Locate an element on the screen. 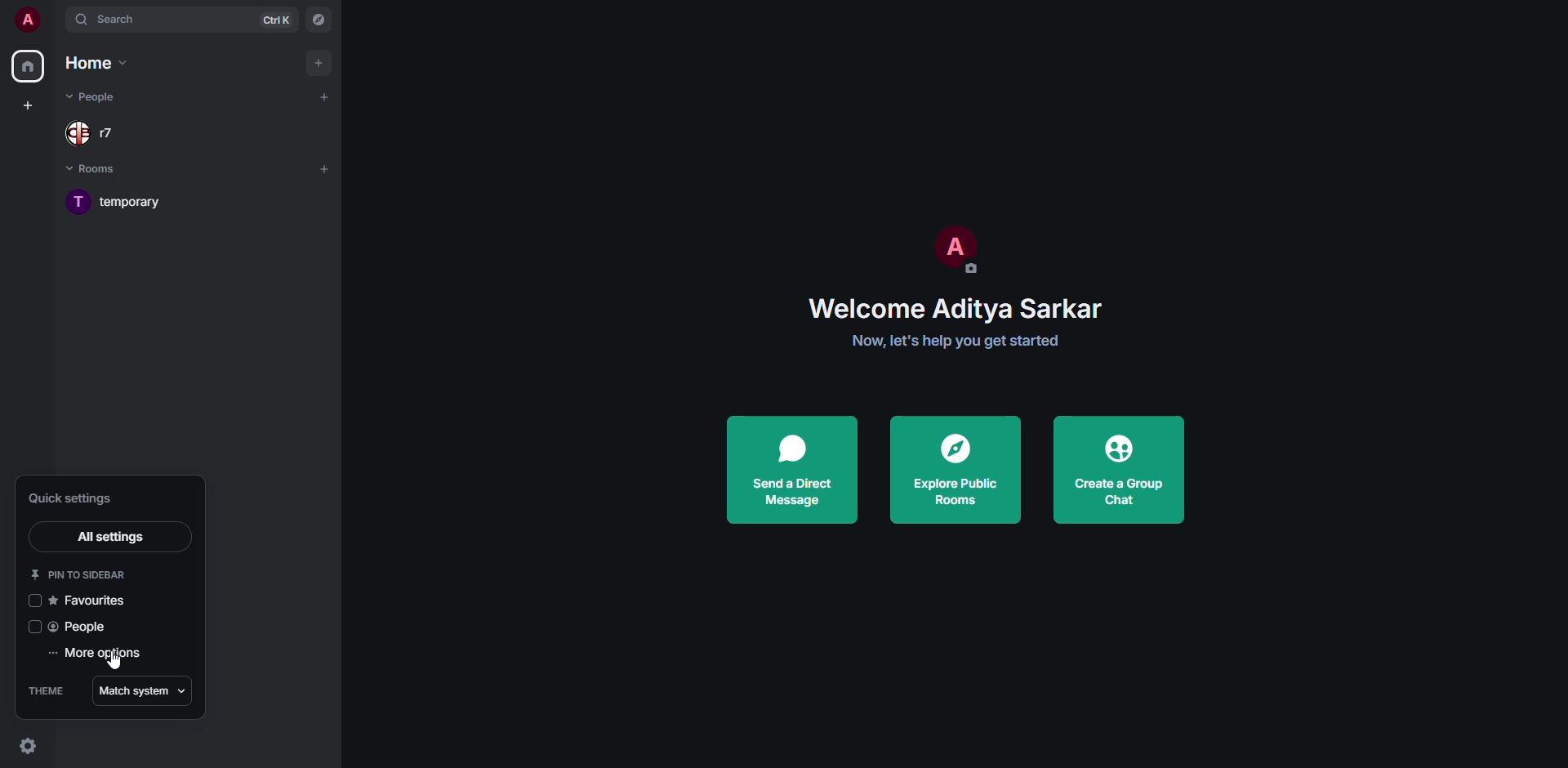  cursor is located at coordinates (114, 661).